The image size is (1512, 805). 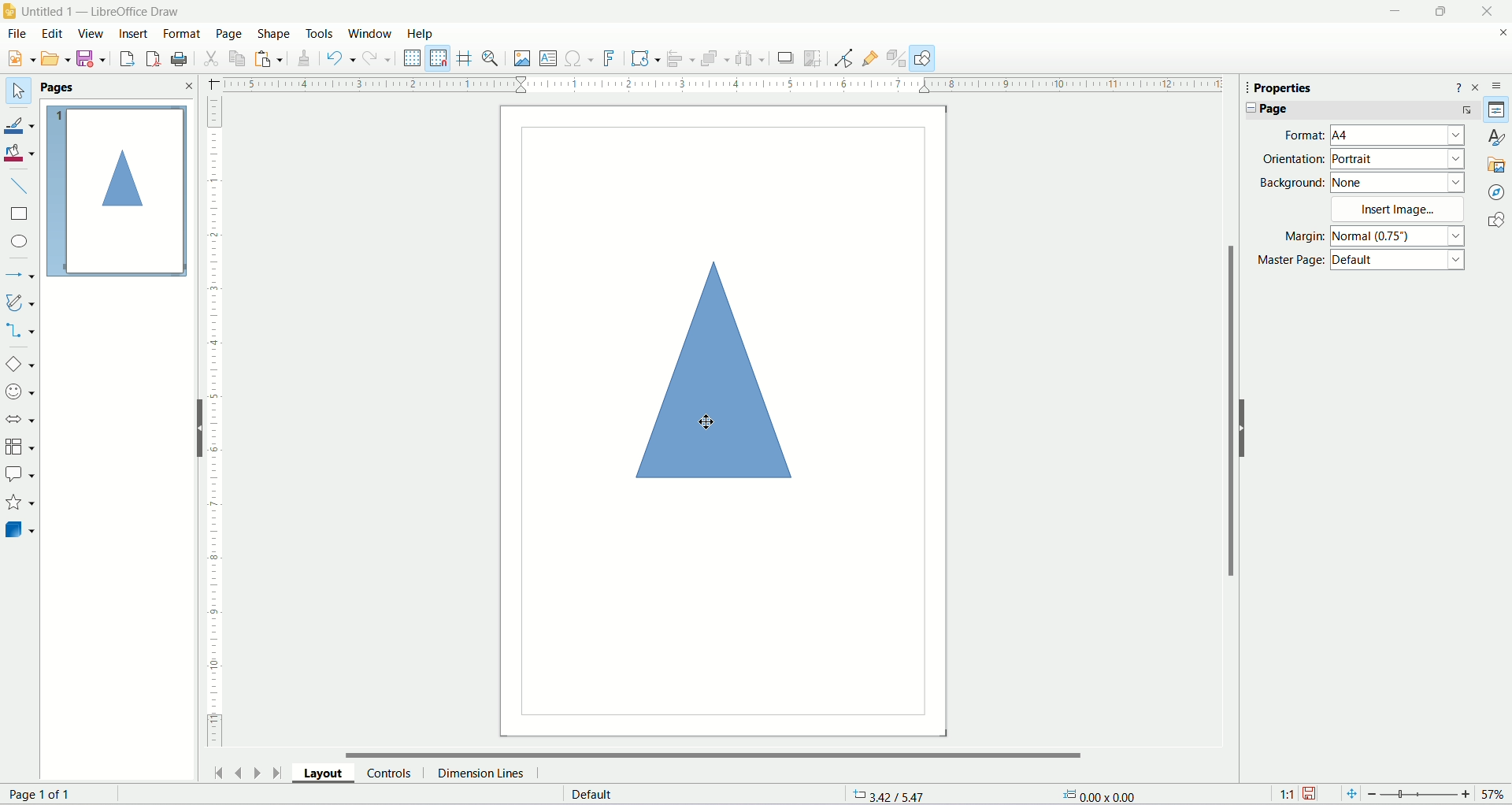 I want to click on Shape, so click(x=274, y=34).